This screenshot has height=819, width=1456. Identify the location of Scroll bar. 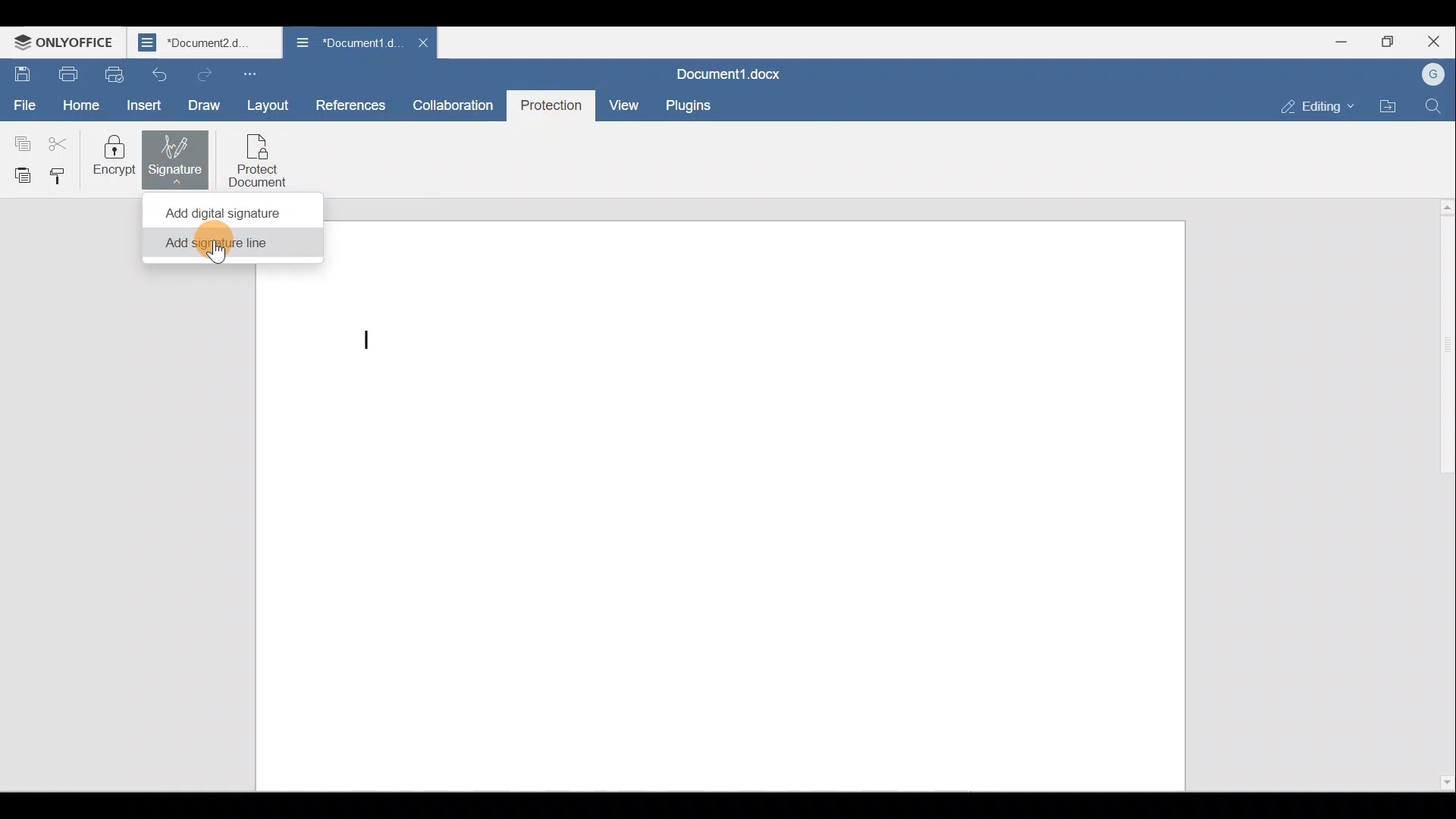
(1439, 495).